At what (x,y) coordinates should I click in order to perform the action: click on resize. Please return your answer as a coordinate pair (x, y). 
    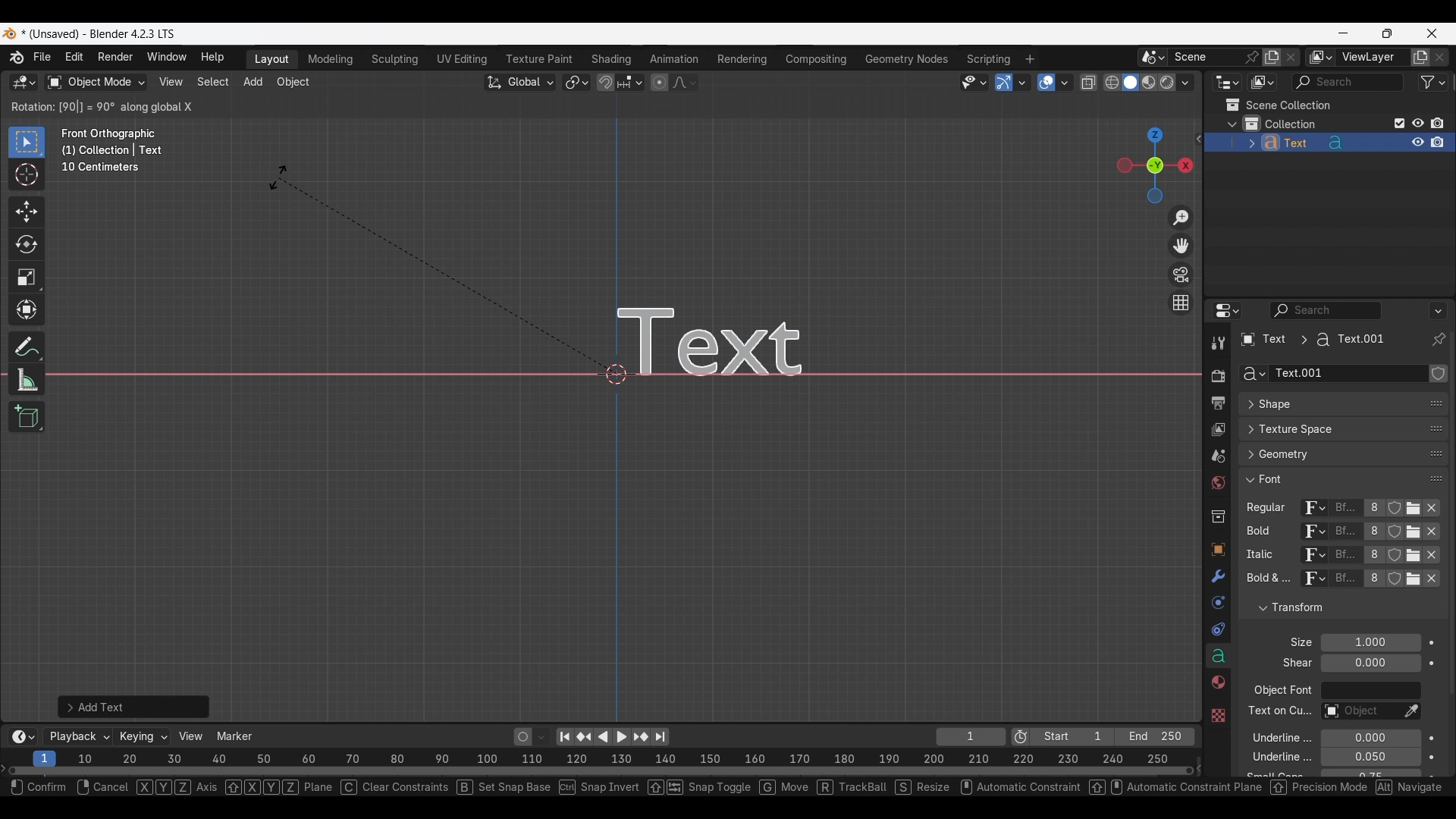
    Looking at the image, I should click on (920, 790).